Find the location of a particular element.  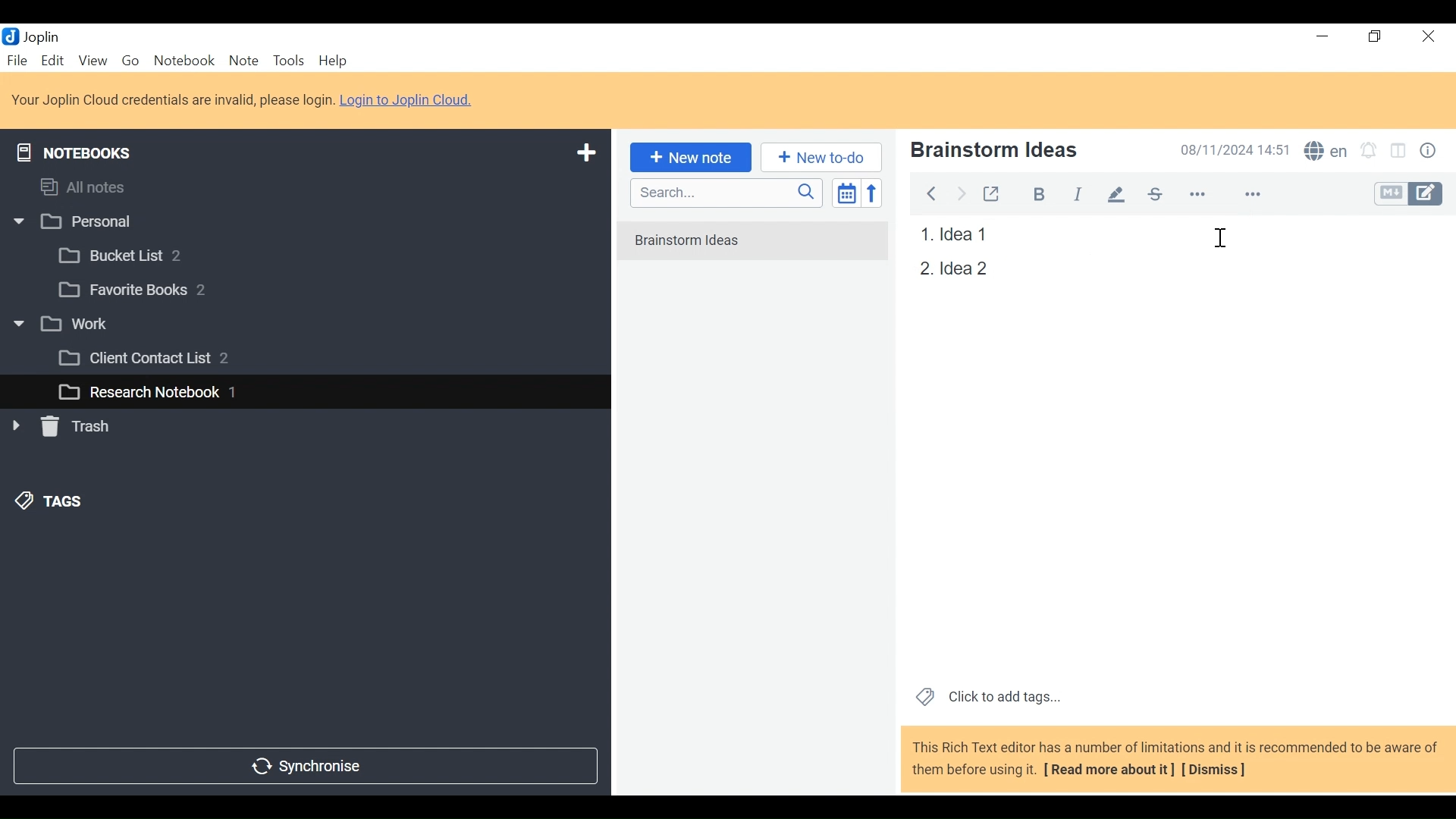

Tools is located at coordinates (287, 61).